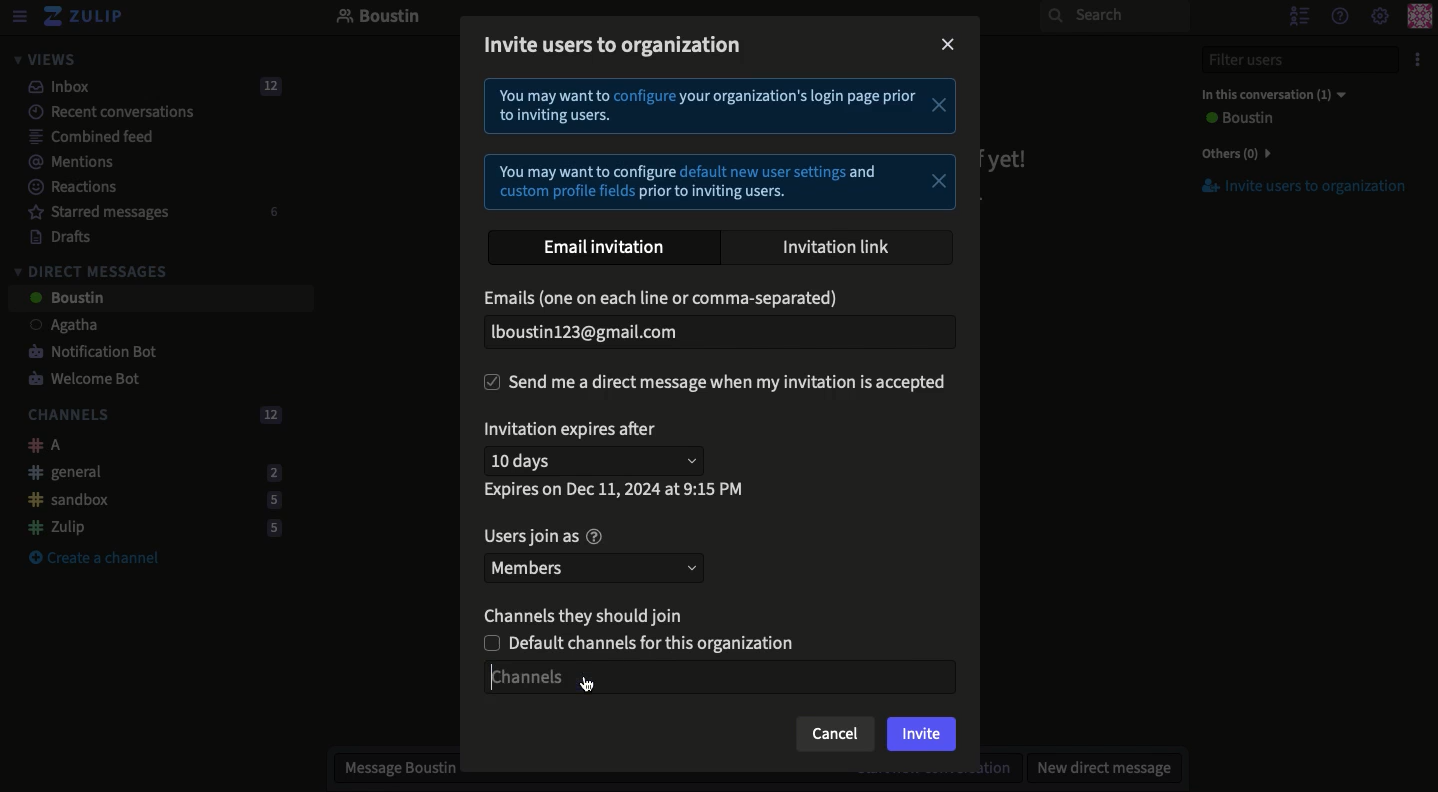 The height and width of the screenshot is (792, 1438). Describe the element at coordinates (53, 327) in the screenshot. I see `User 1` at that location.